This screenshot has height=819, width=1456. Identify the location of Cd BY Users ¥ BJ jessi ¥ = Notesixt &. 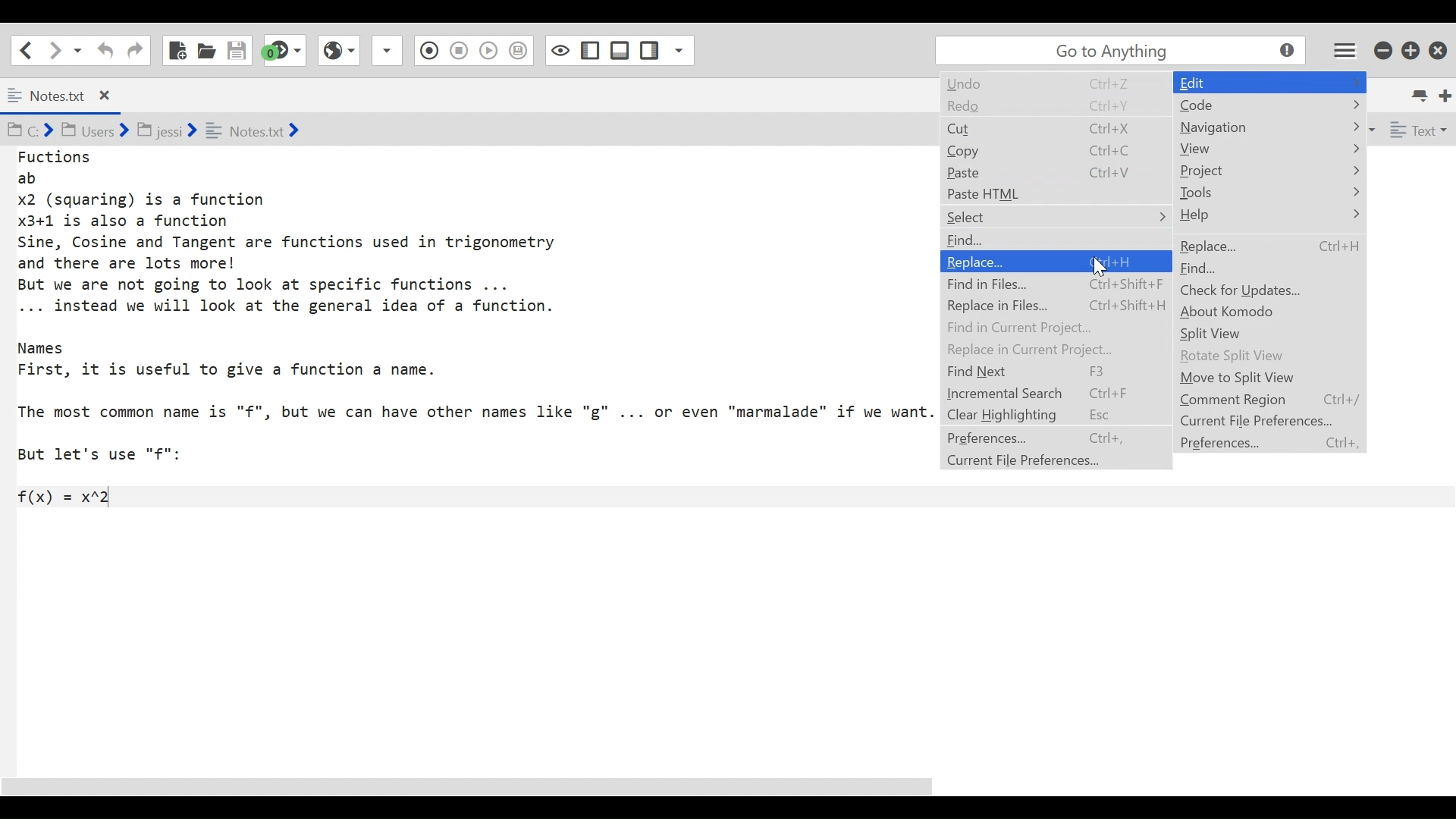
(208, 132).